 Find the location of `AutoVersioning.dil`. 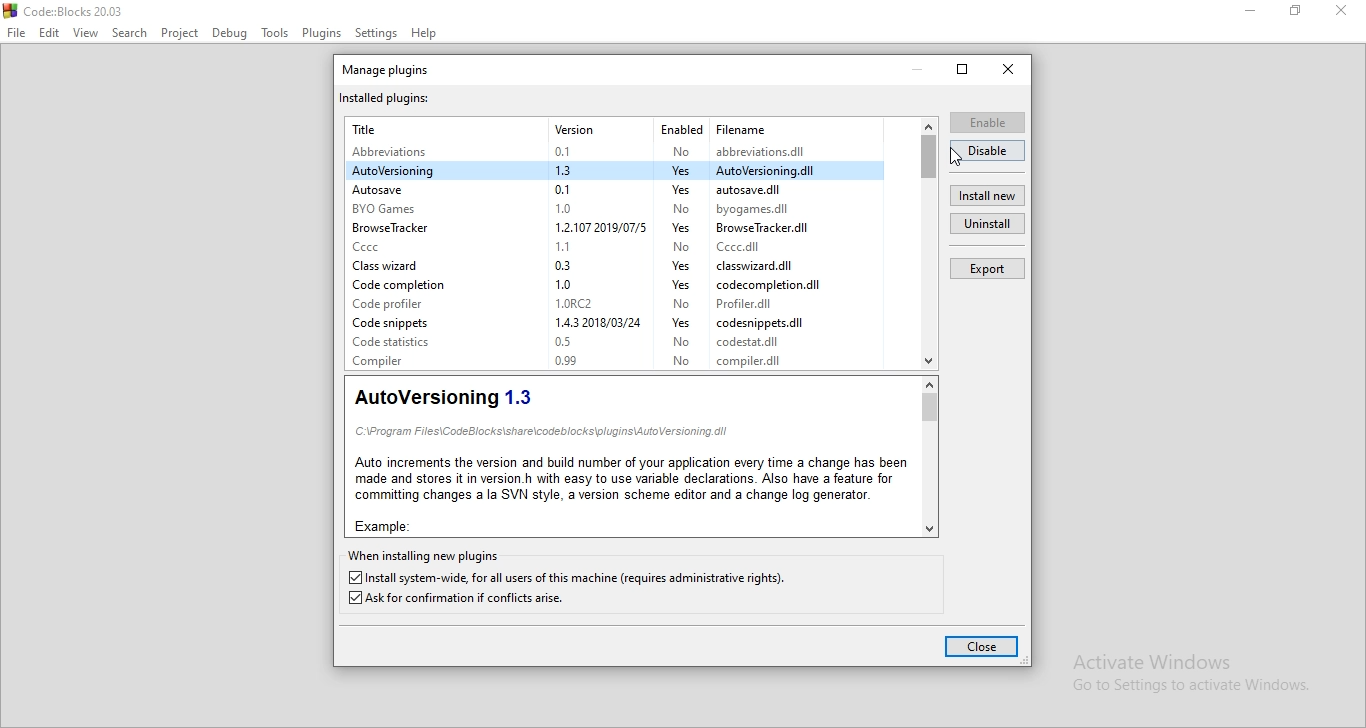

AutoVersioning.dil is located at coordinates (773, 170).